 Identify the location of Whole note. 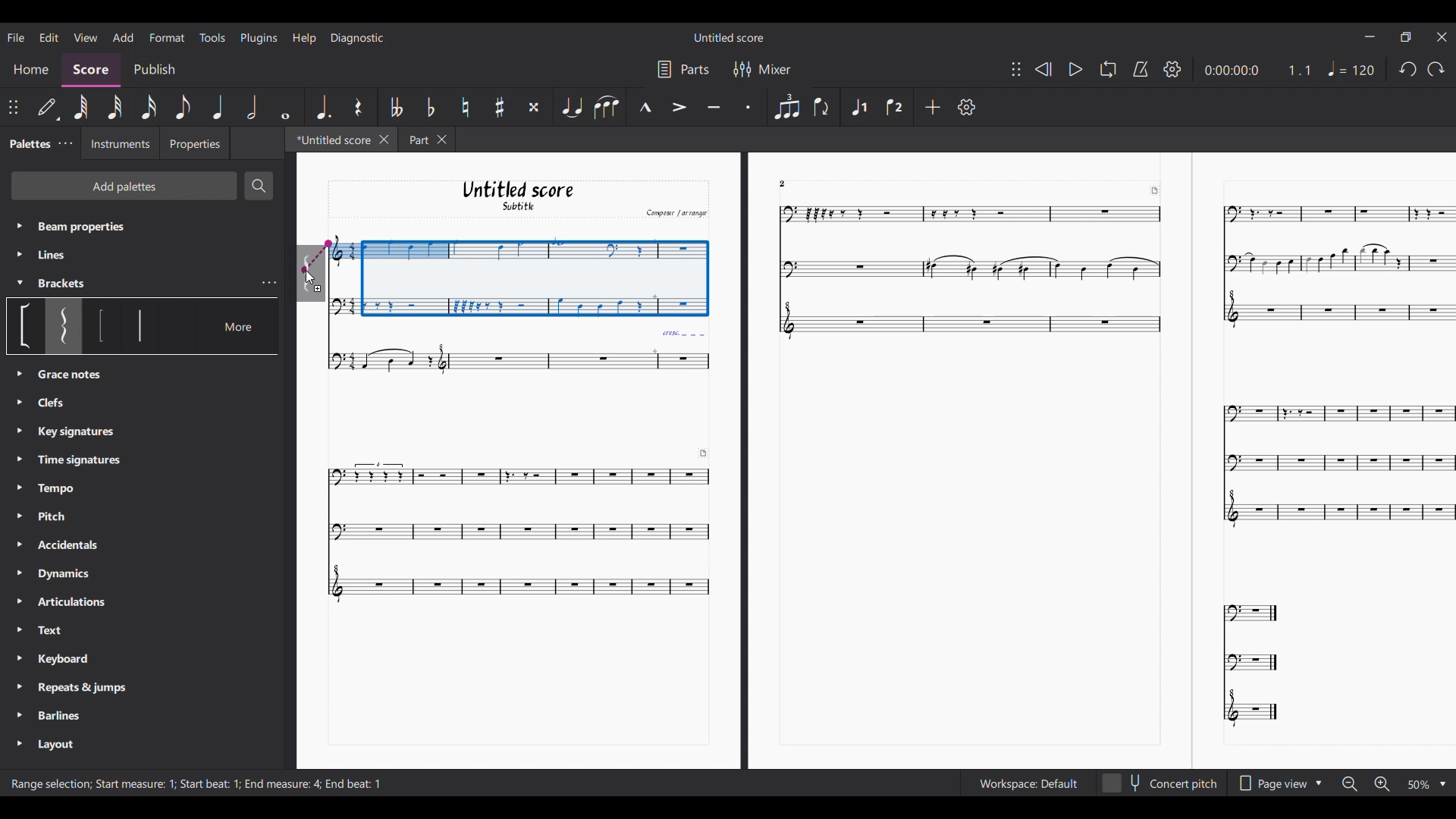
(284, 107).